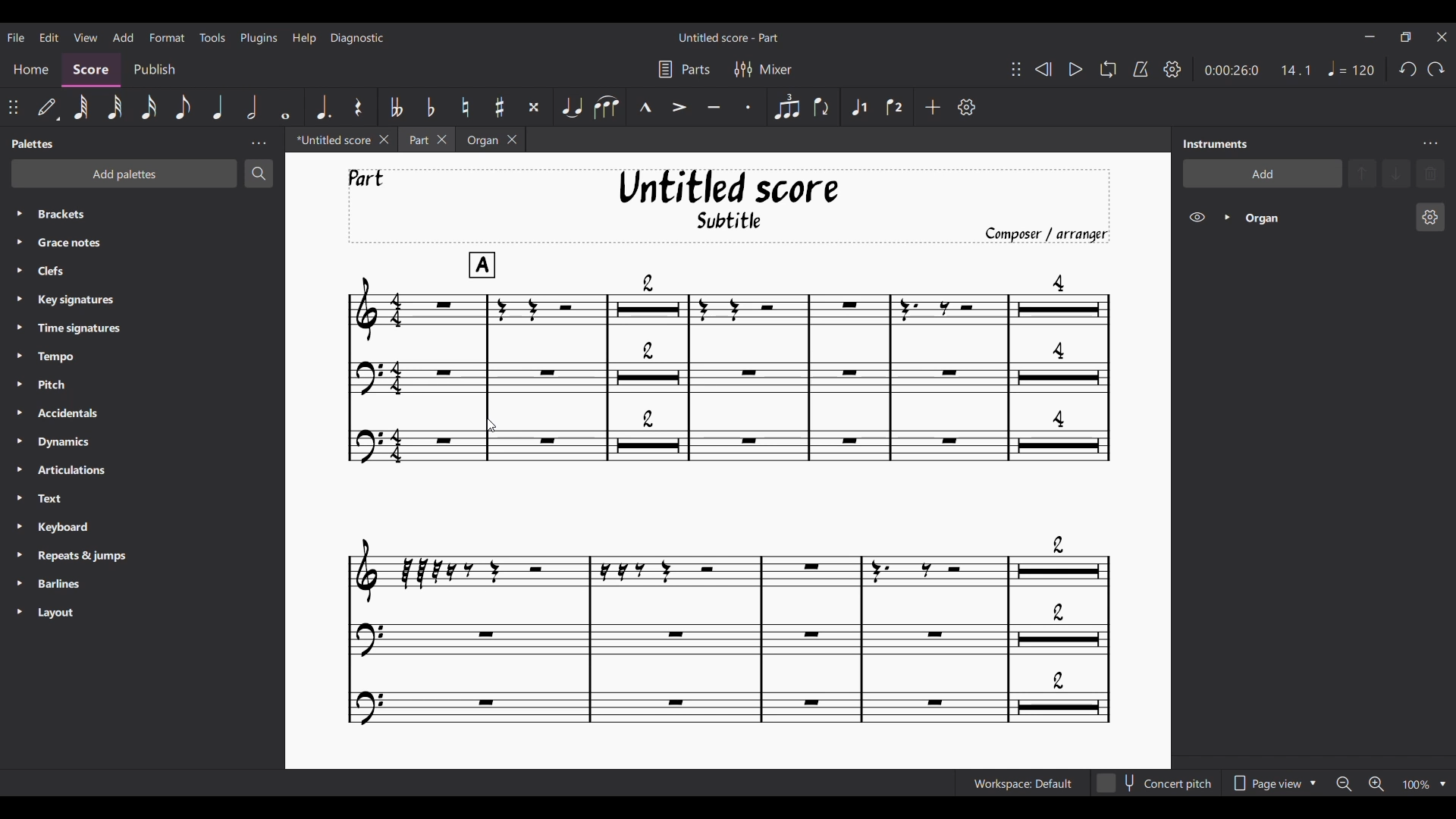  Describe the element at coordinates (1362, 173) in the screenshot. I see `Move selection up ` at that location.